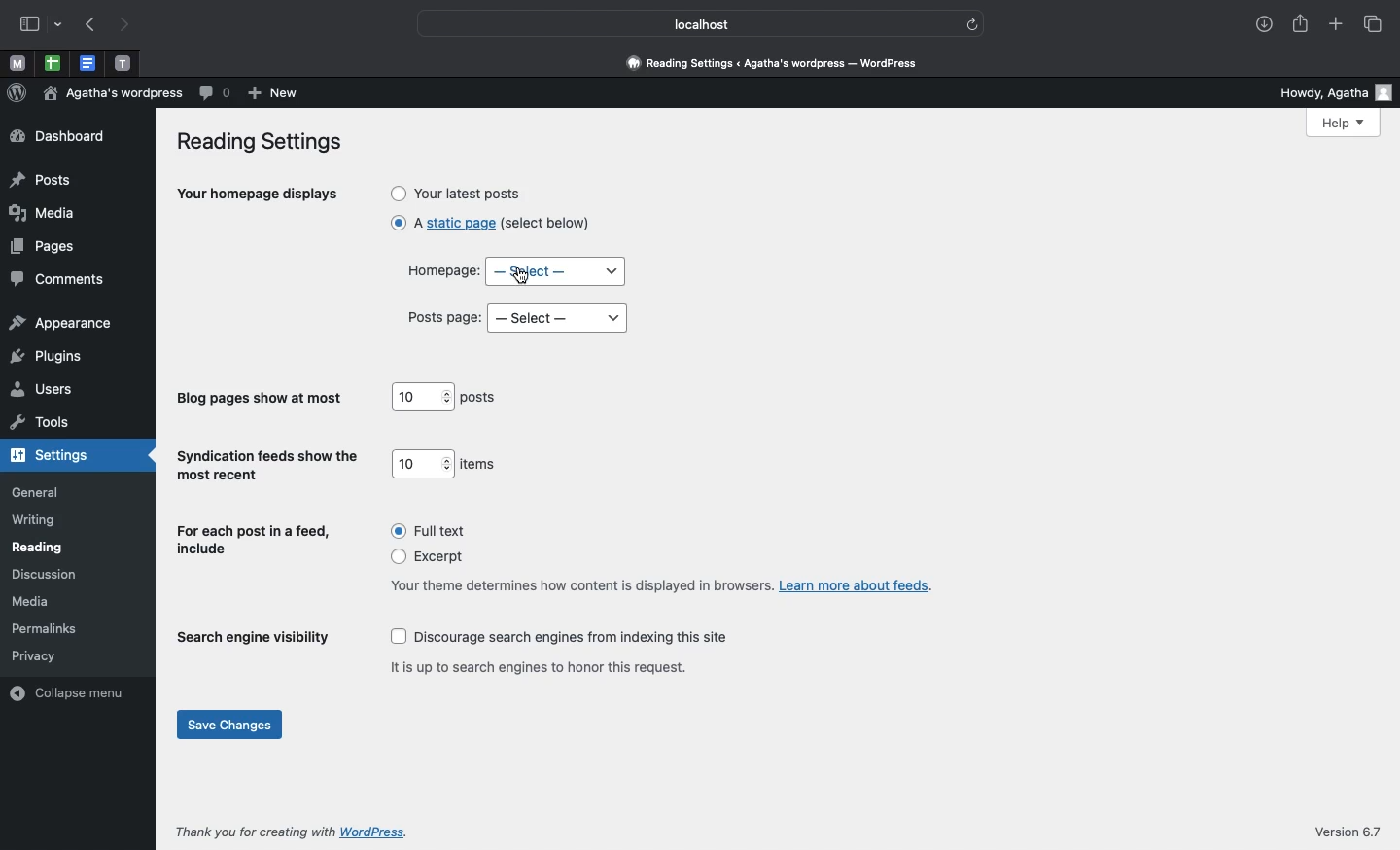  What do you see at coordinates (783, 64) in the screenshot?
I see `reading settings < agatha's wordpress - wordpress` at bounding box center [783, 64].